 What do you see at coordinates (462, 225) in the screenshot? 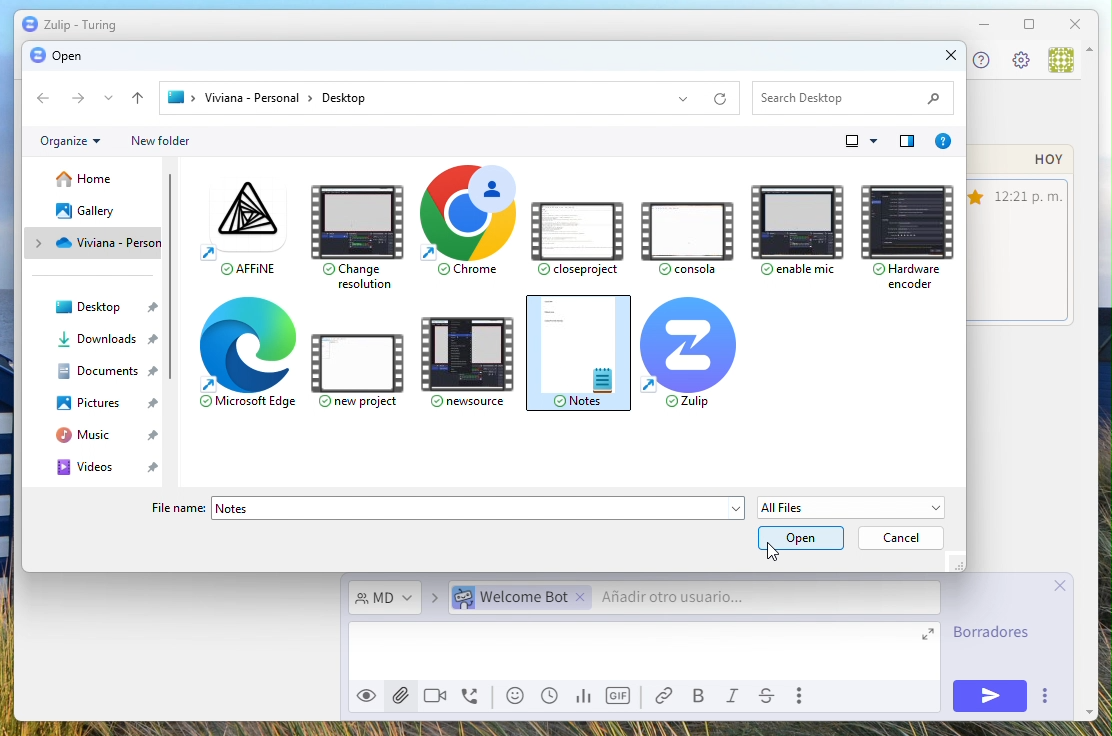
I see `chrome` at bounding box center [462, 225].